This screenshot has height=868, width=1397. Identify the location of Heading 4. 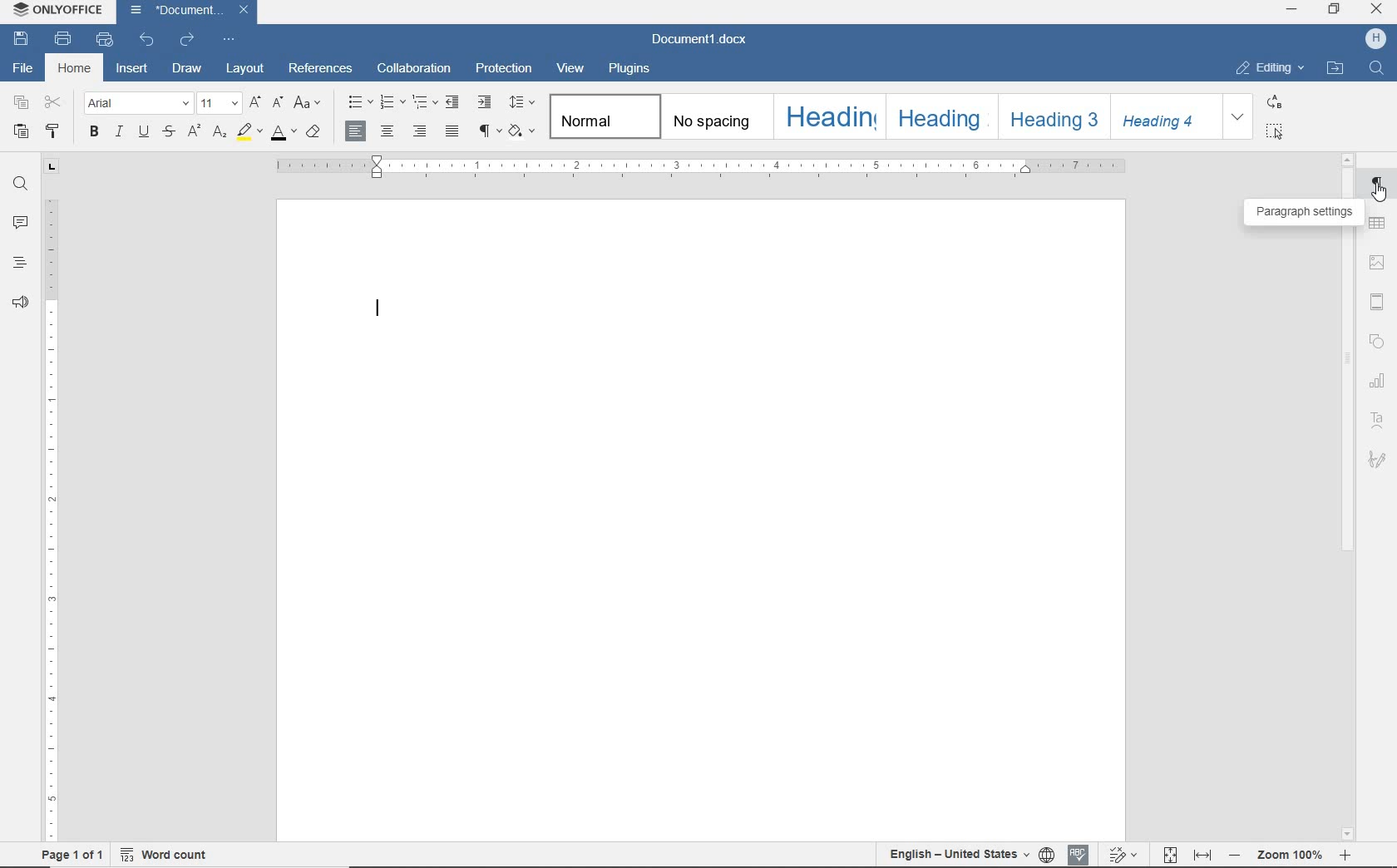
(1166, 116).